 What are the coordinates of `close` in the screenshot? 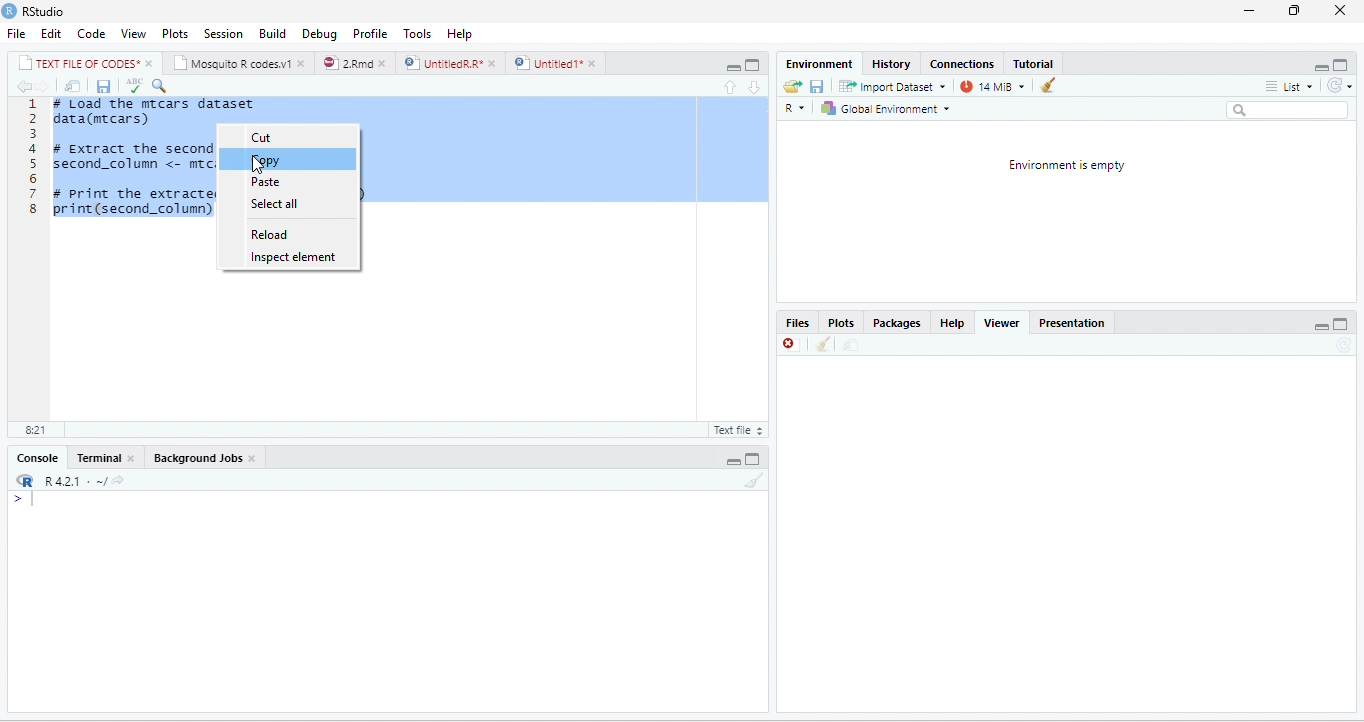 It's located at (790, 346).